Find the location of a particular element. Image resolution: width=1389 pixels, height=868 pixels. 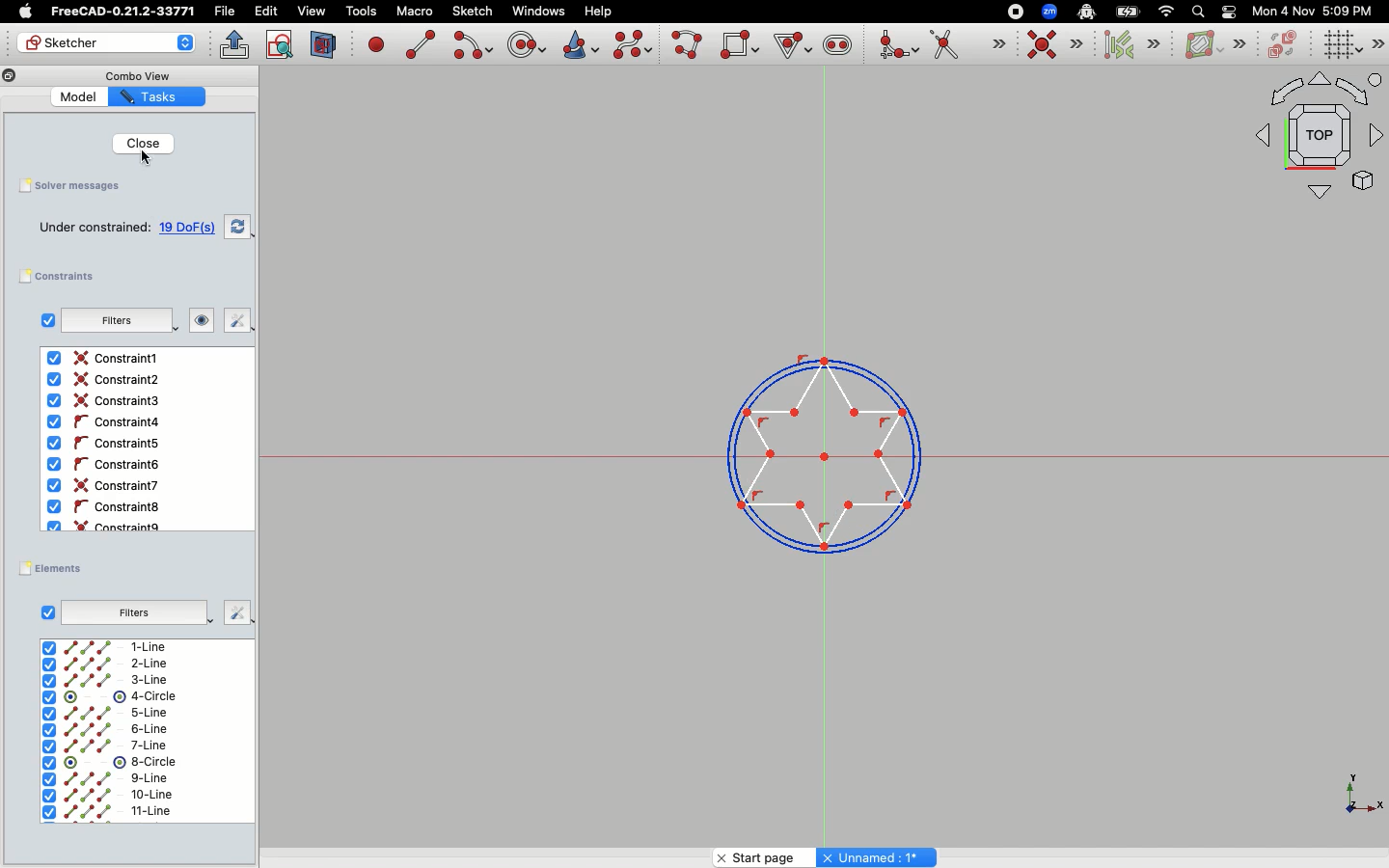

Constraint1 is located at coordinates (106, 359).